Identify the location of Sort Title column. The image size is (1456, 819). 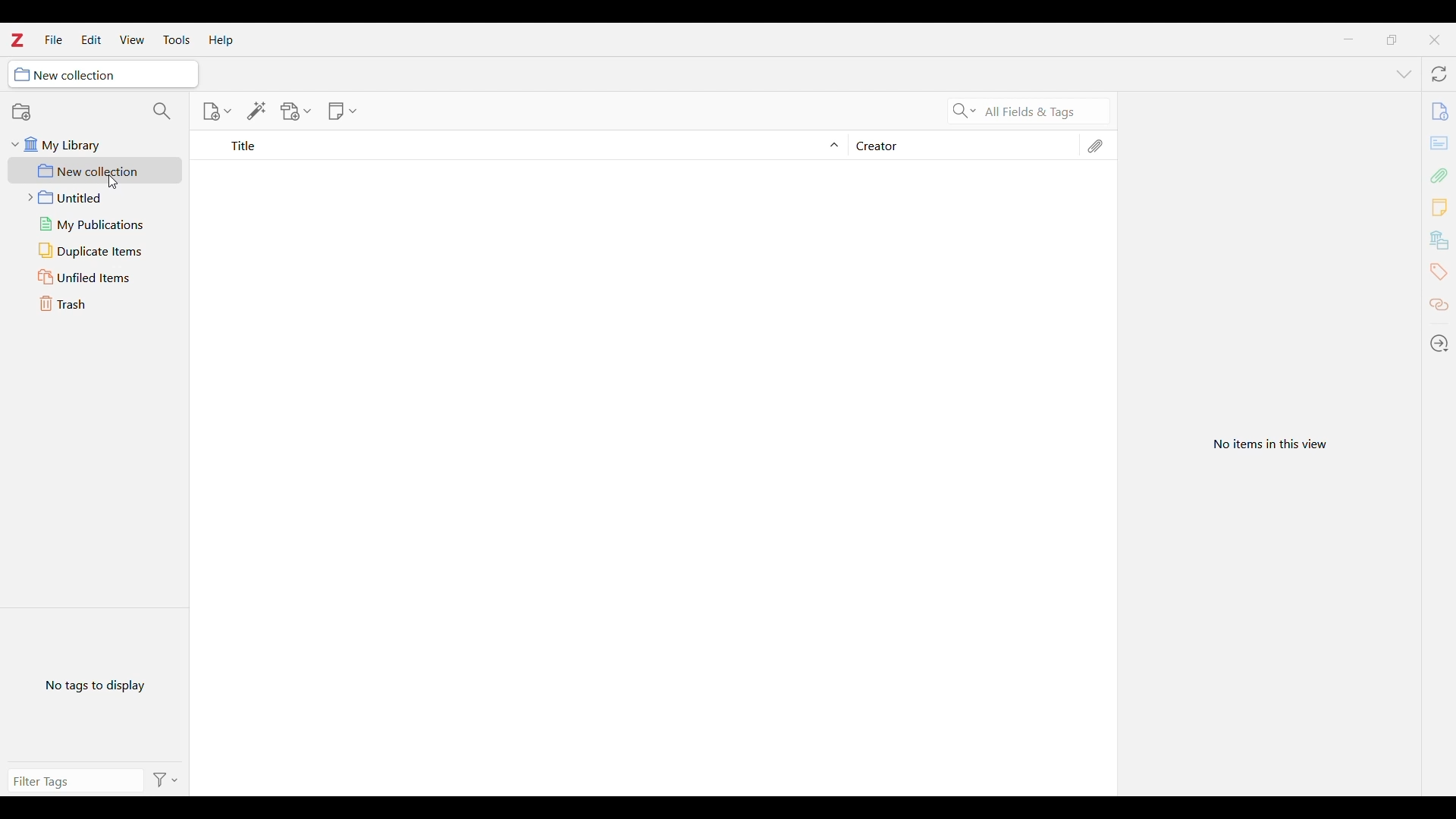
(529, 146).